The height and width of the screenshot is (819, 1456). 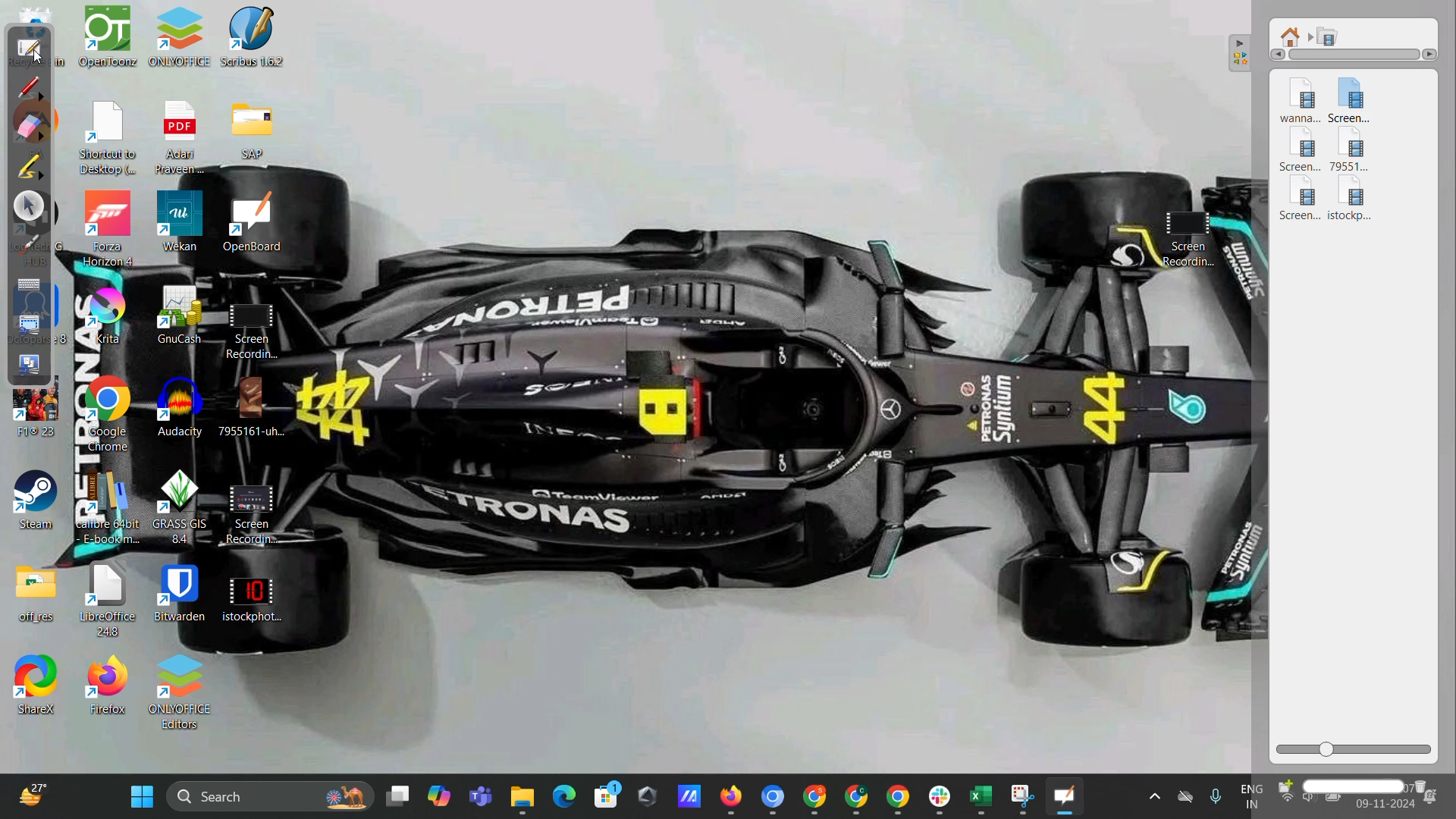 I want to click on collapse, so click(x=1245, y=52).